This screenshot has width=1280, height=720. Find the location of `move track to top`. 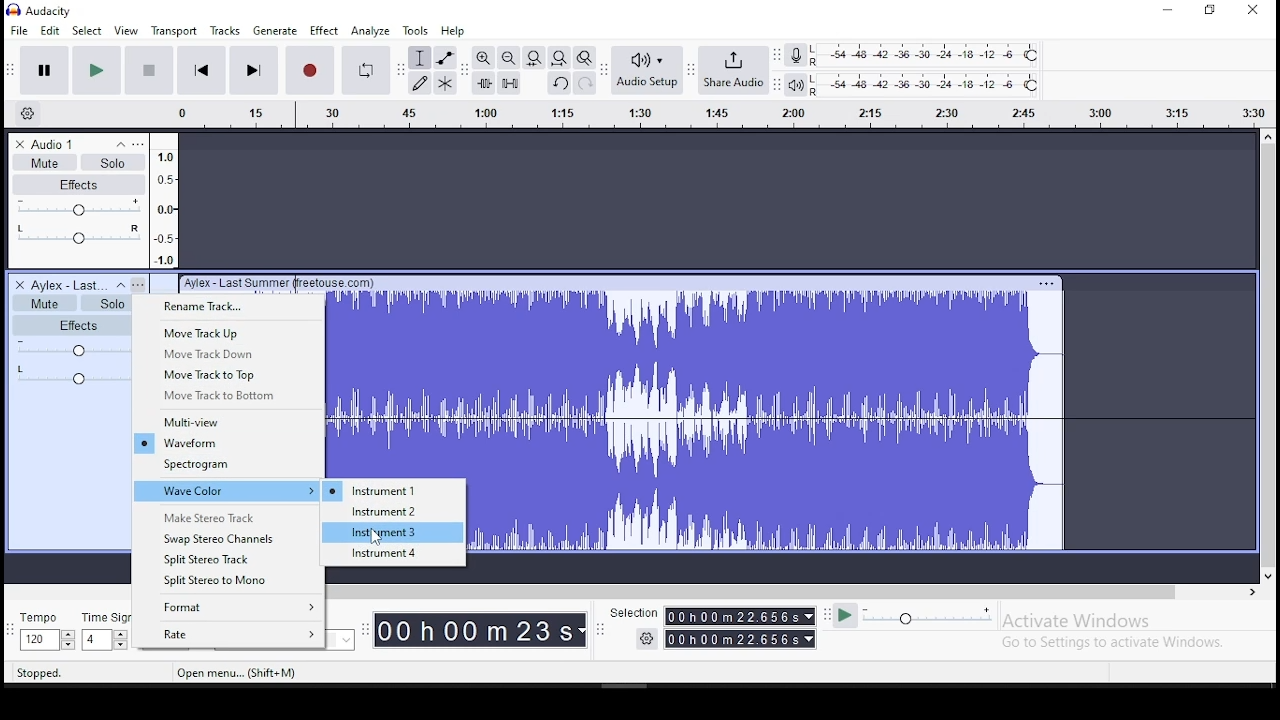

move track to top is located at coordinates (228, 374).